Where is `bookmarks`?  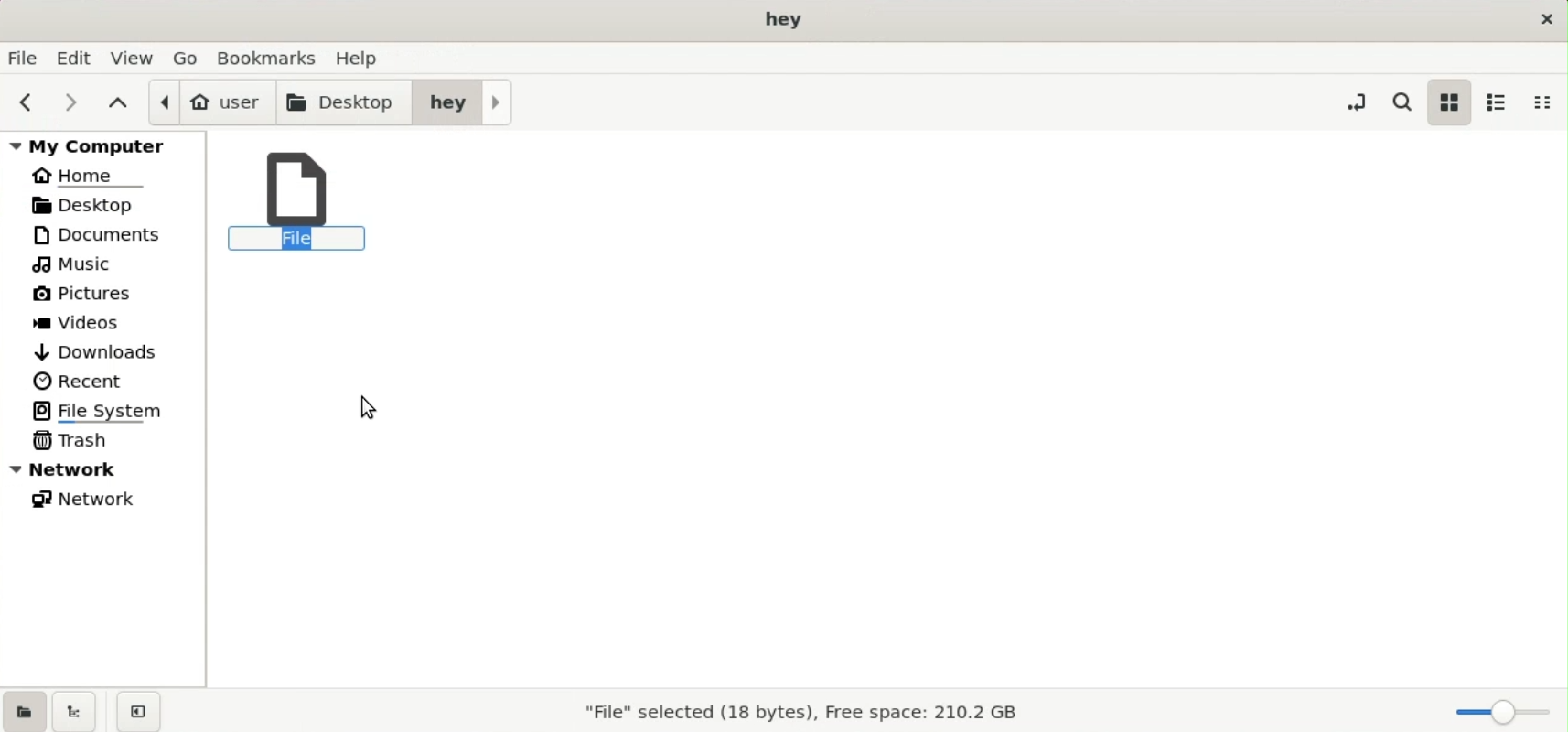 bookmarks is located at coordinates (272, 56).